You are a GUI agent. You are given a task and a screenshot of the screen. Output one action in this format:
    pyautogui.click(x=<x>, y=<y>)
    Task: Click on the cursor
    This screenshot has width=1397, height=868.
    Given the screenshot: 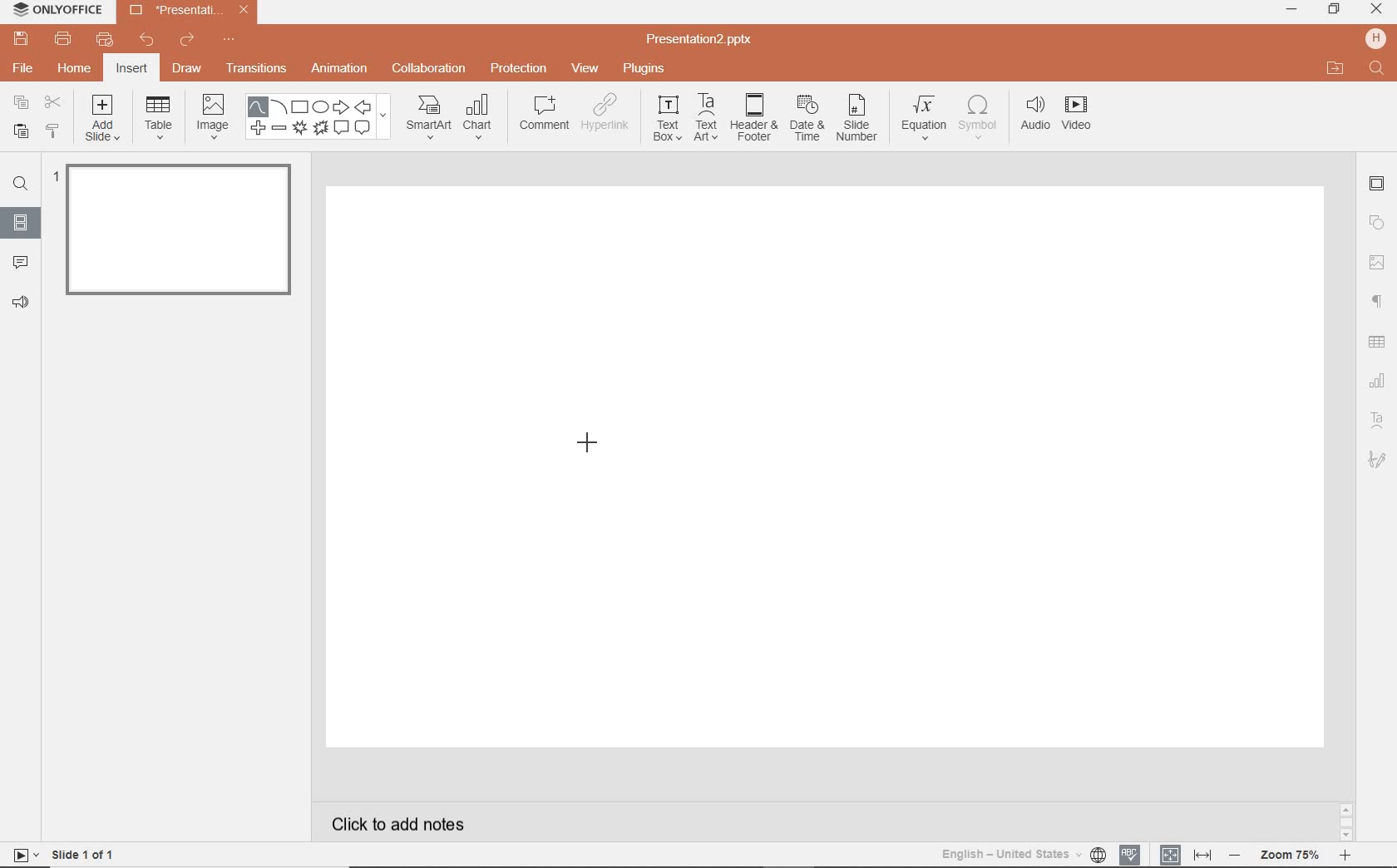 What is the action you would take?
    pyautogui.click(x=588, y=445)
    